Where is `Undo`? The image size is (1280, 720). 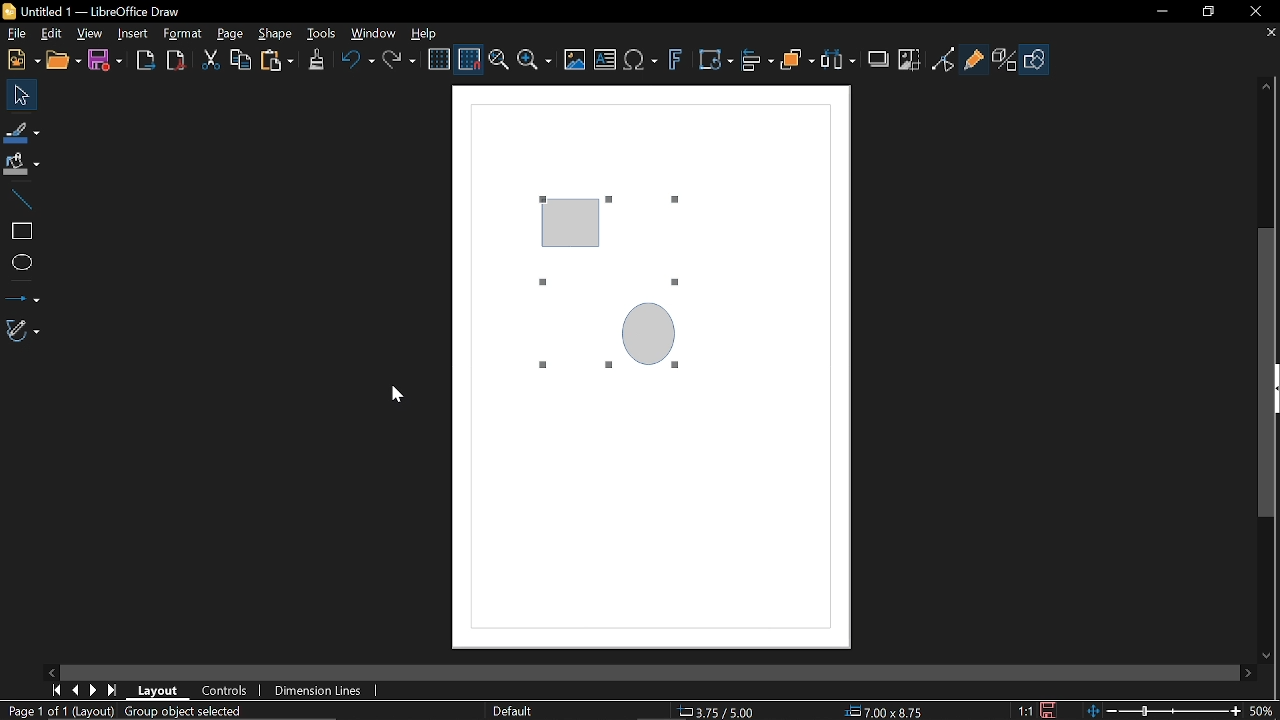 Undo is located at coordinates (358, 61).